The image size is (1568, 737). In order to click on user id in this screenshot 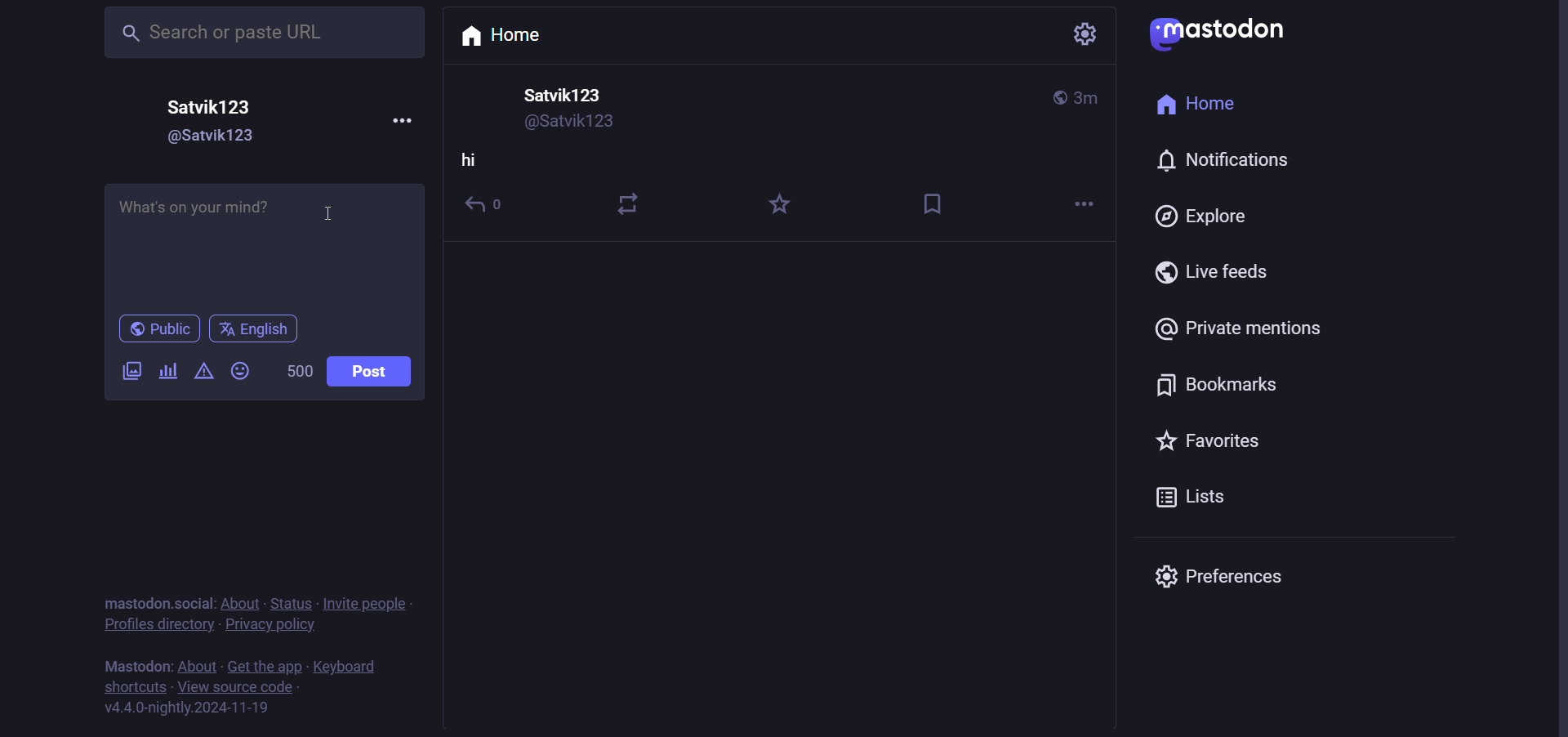, I will do `click(575, 123)`.